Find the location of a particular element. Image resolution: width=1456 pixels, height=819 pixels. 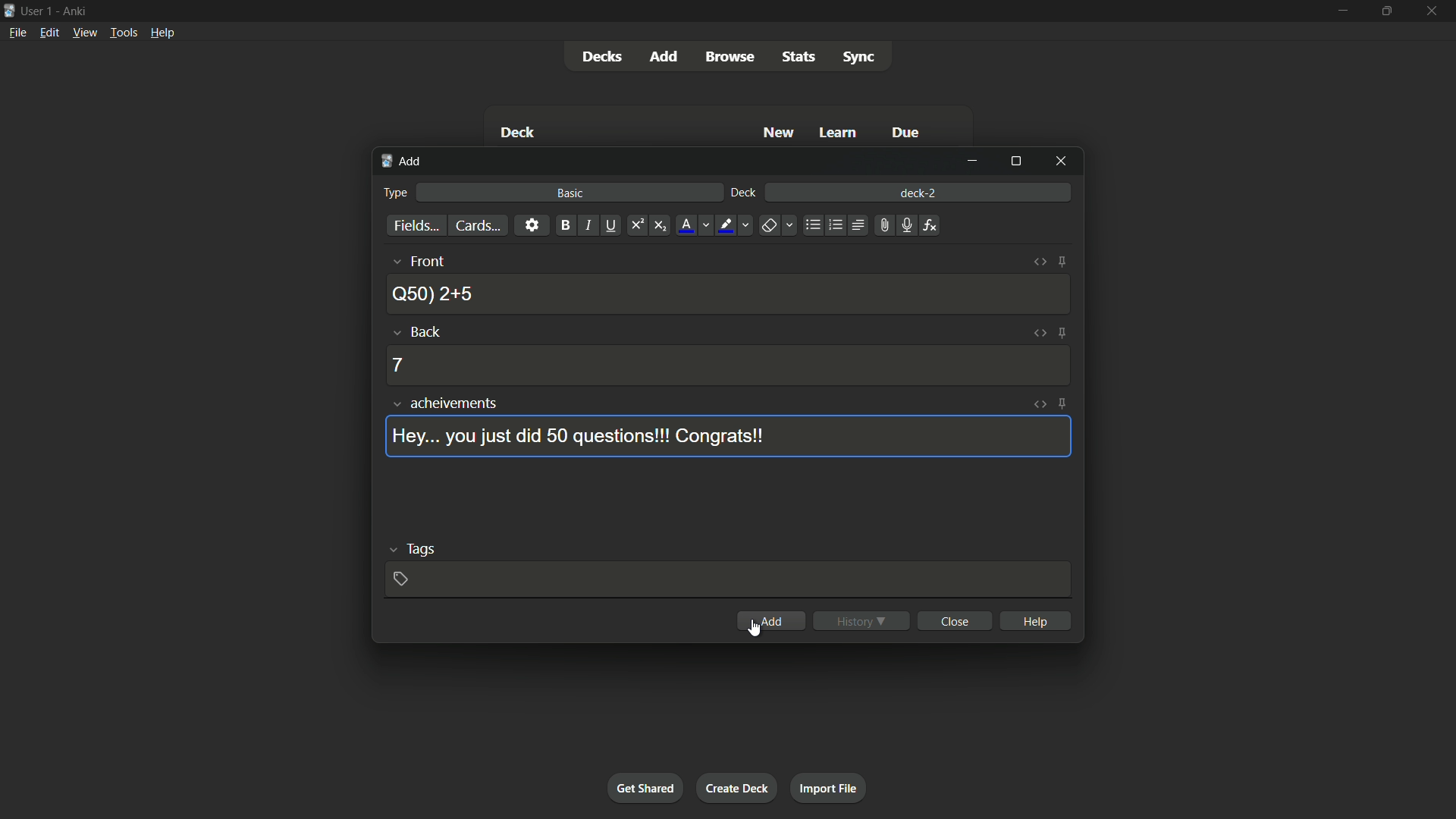

browse is located at coordinates (727, 57).